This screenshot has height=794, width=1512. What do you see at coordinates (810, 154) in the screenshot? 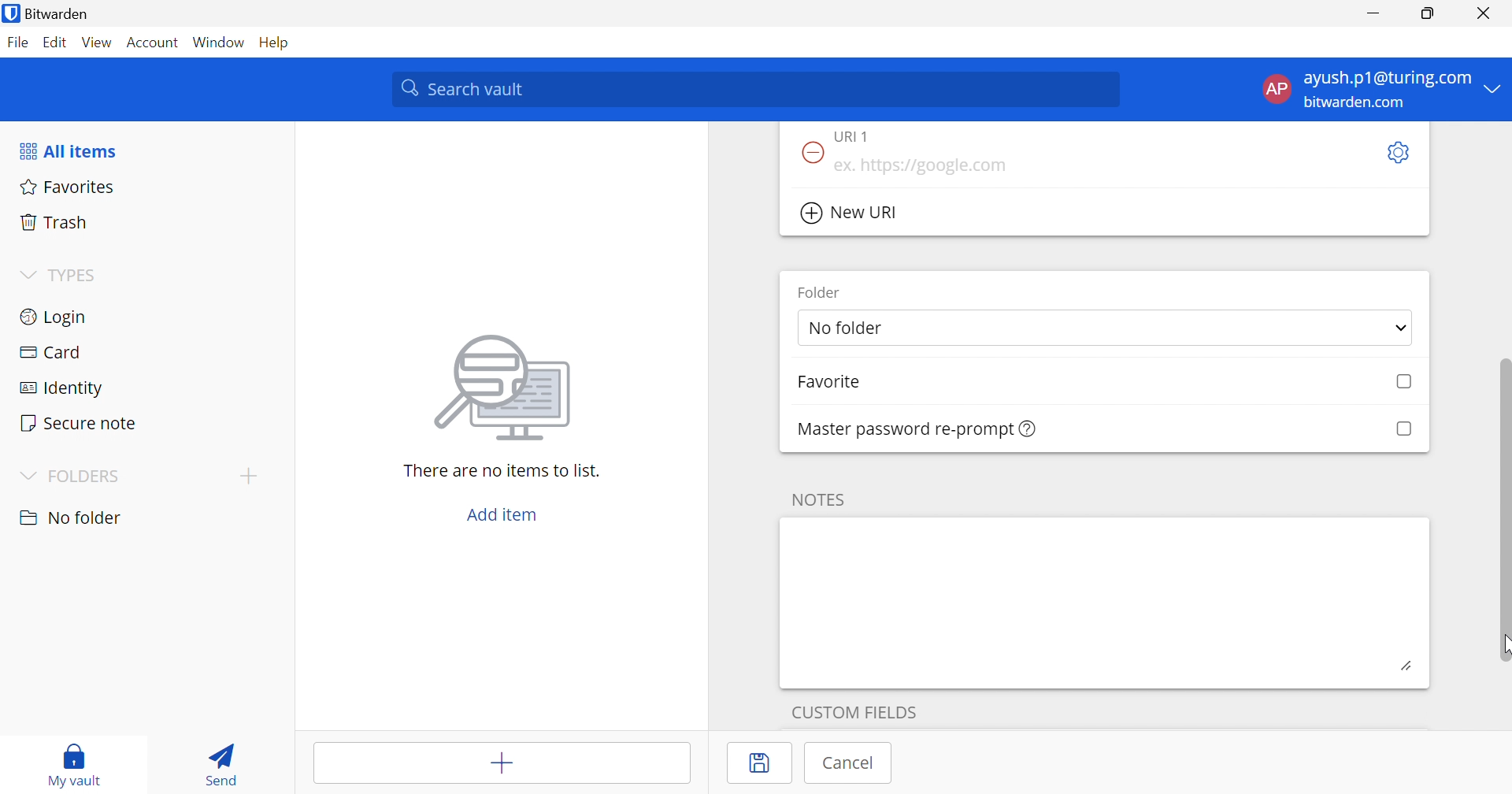
I see `Remove` at bounding box center [810, 154].